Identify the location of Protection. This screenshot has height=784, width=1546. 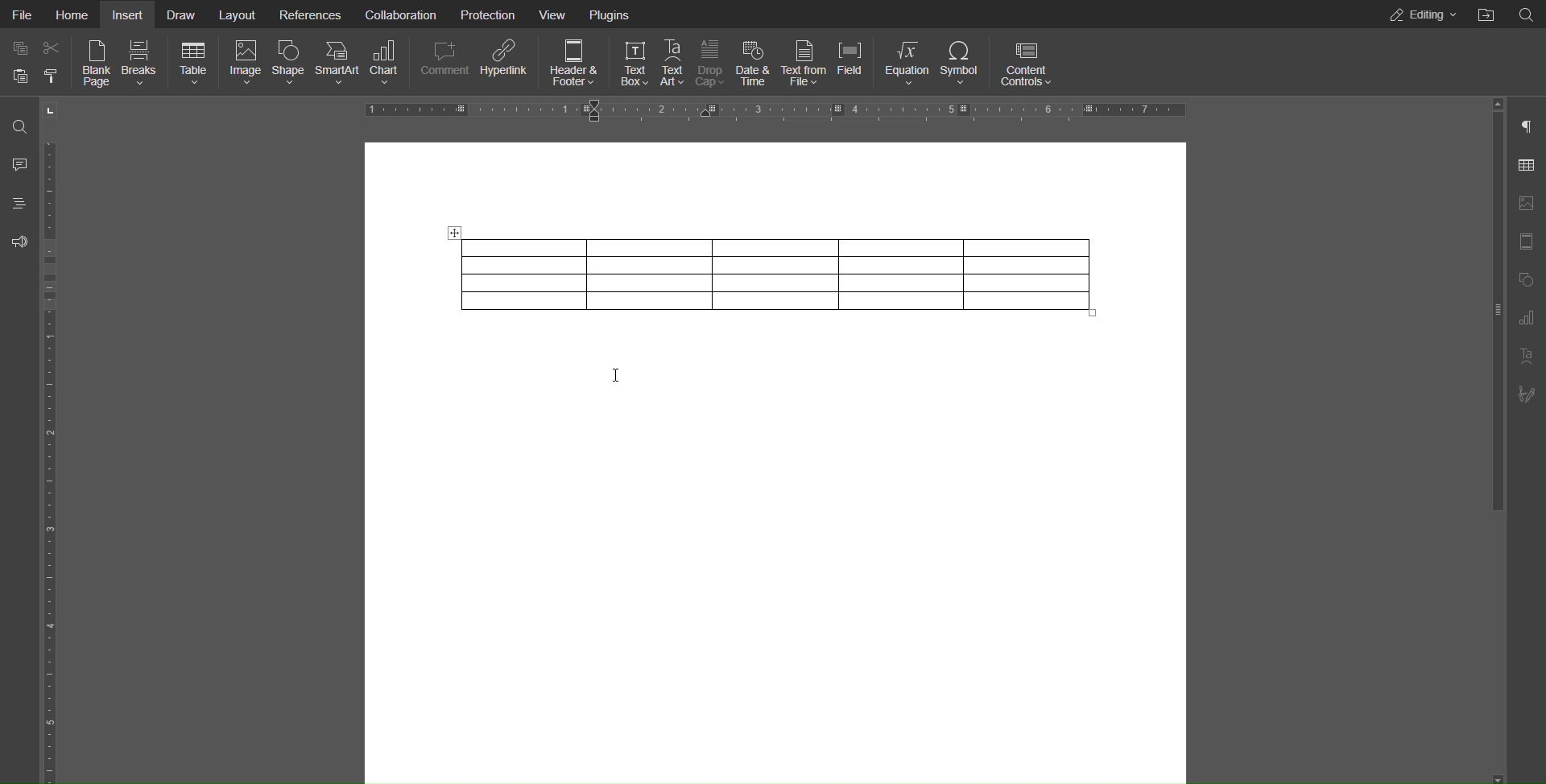
(481, 14).